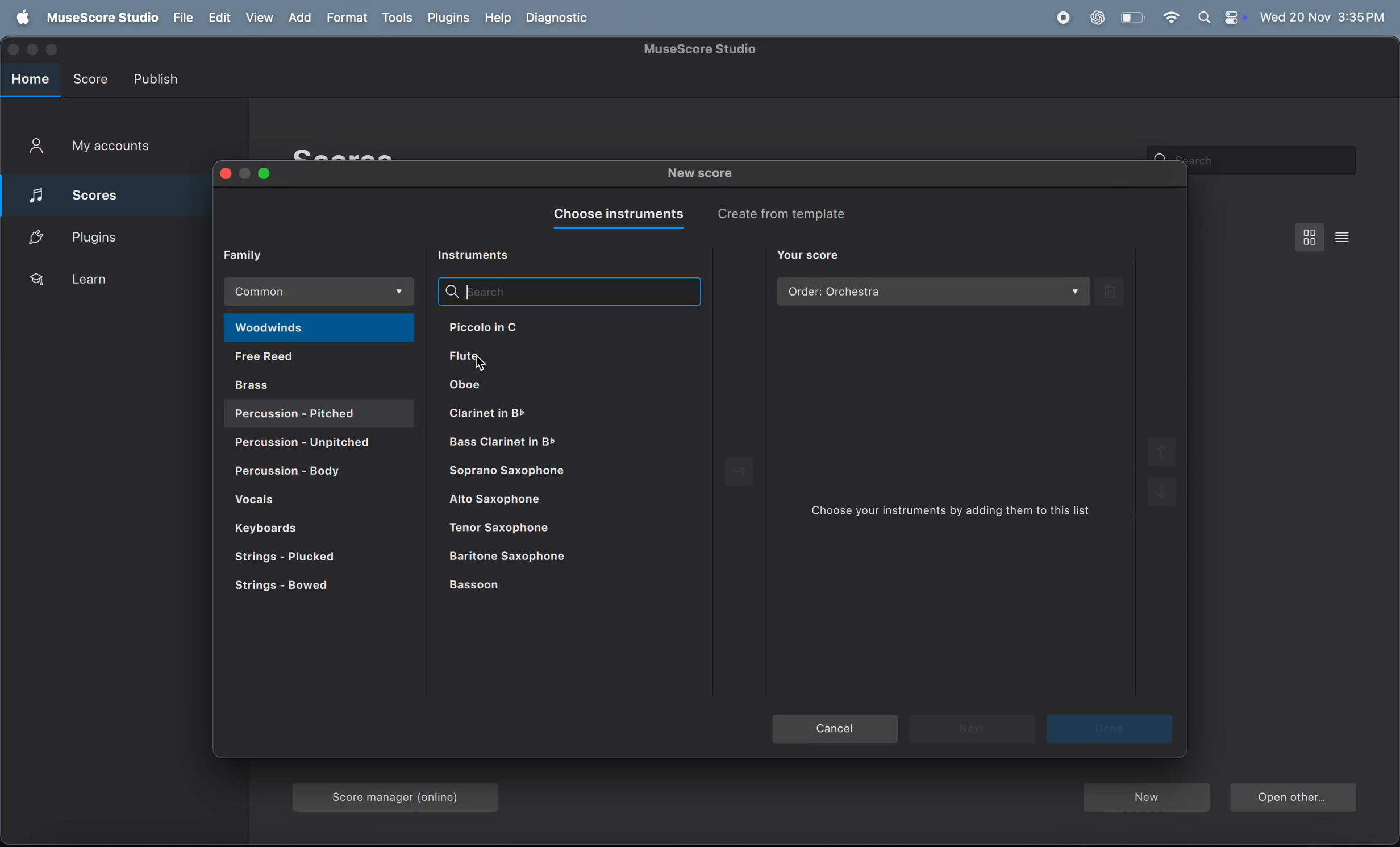 This screenshot has width=1400, height=847. I want to click on scores, so click(365, 152).